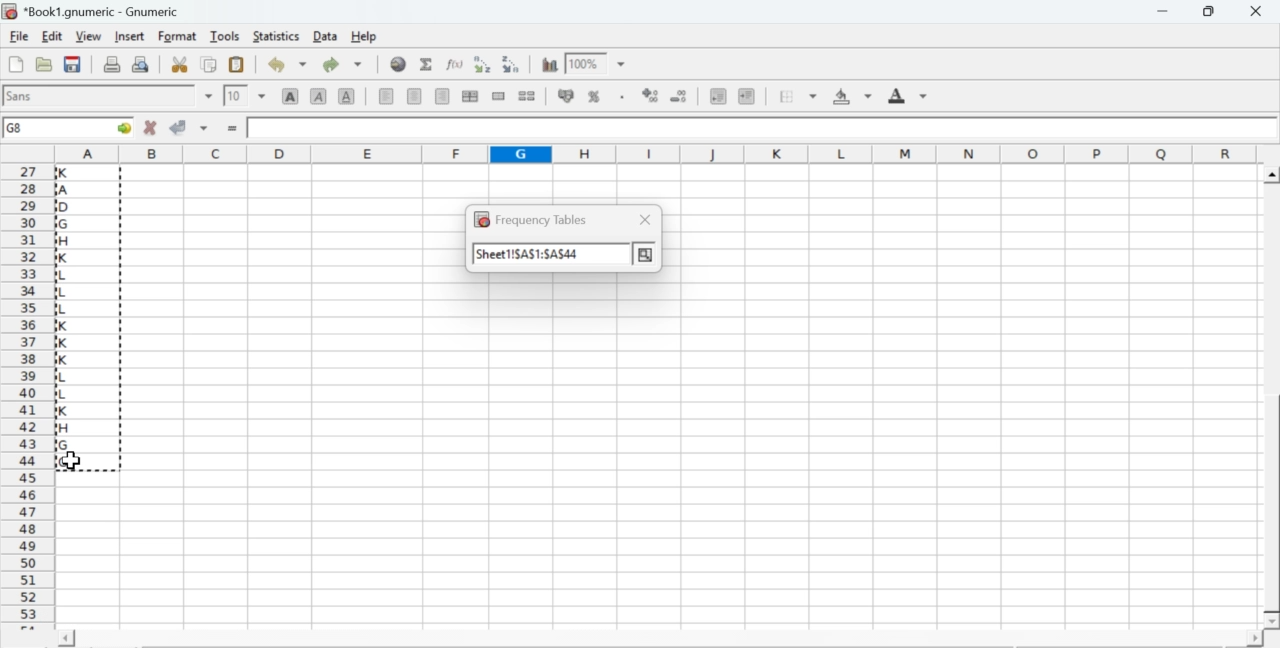  What do you see at coordinates (238, 65) in the screenshot?
I see `paste` at bounding box center [238, 65].